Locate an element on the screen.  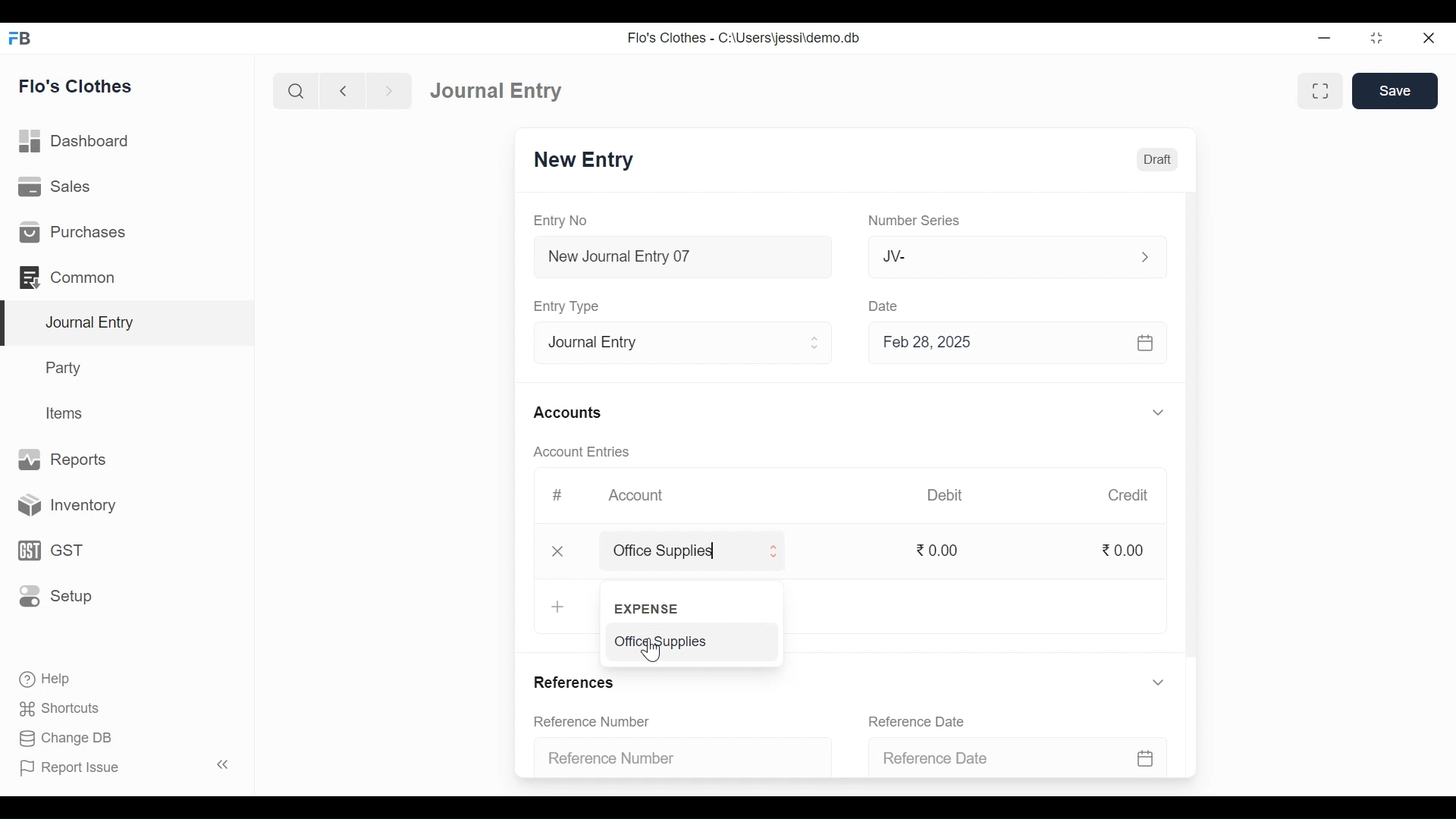
Help is located at coordinates (43, 677).